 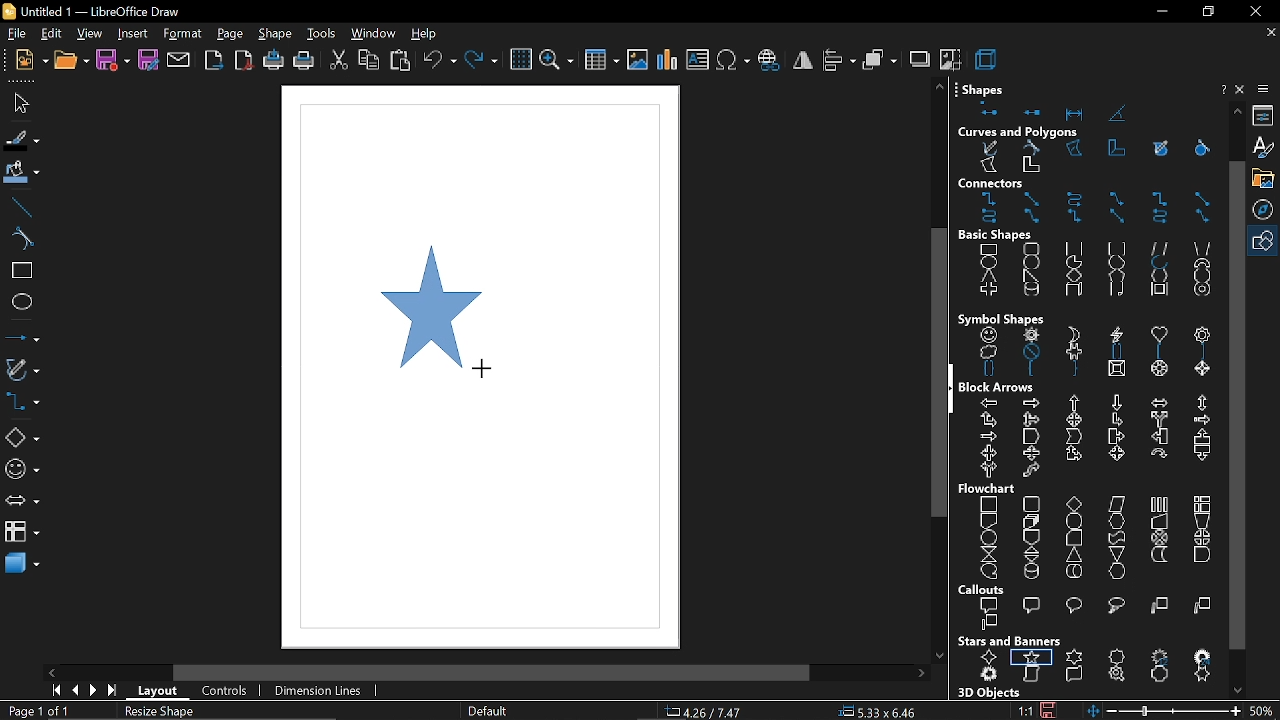 What do you see at coordinates (1101, 613) in the screenshot?
I see `callouts` at bounding box center [1101, 613].